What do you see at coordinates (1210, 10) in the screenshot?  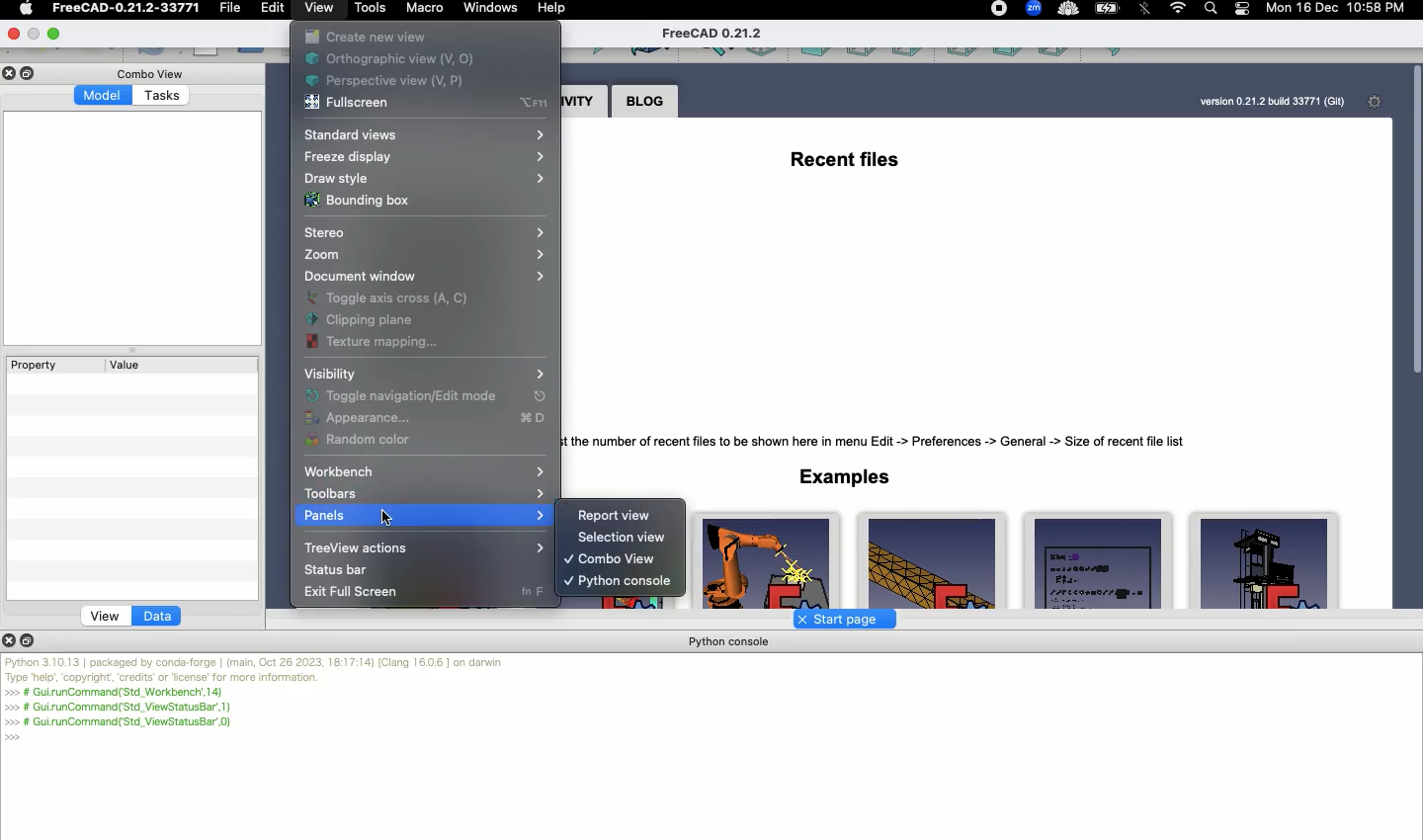 I see `Search` at bounding box center [1210, 10].